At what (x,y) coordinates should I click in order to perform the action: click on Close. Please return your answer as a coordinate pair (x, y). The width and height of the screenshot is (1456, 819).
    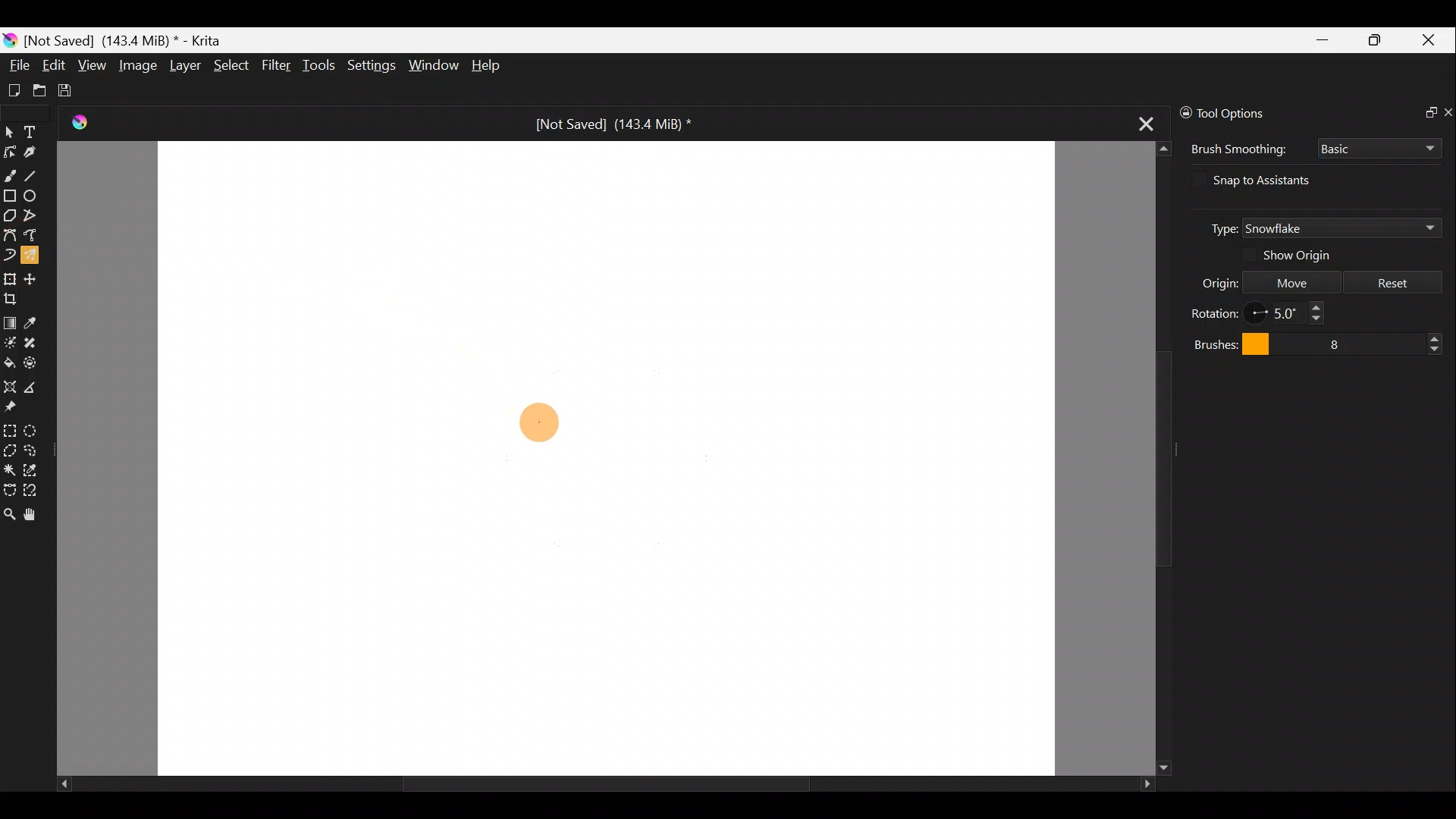
    Looking at the image, I should click on (1432, 39).